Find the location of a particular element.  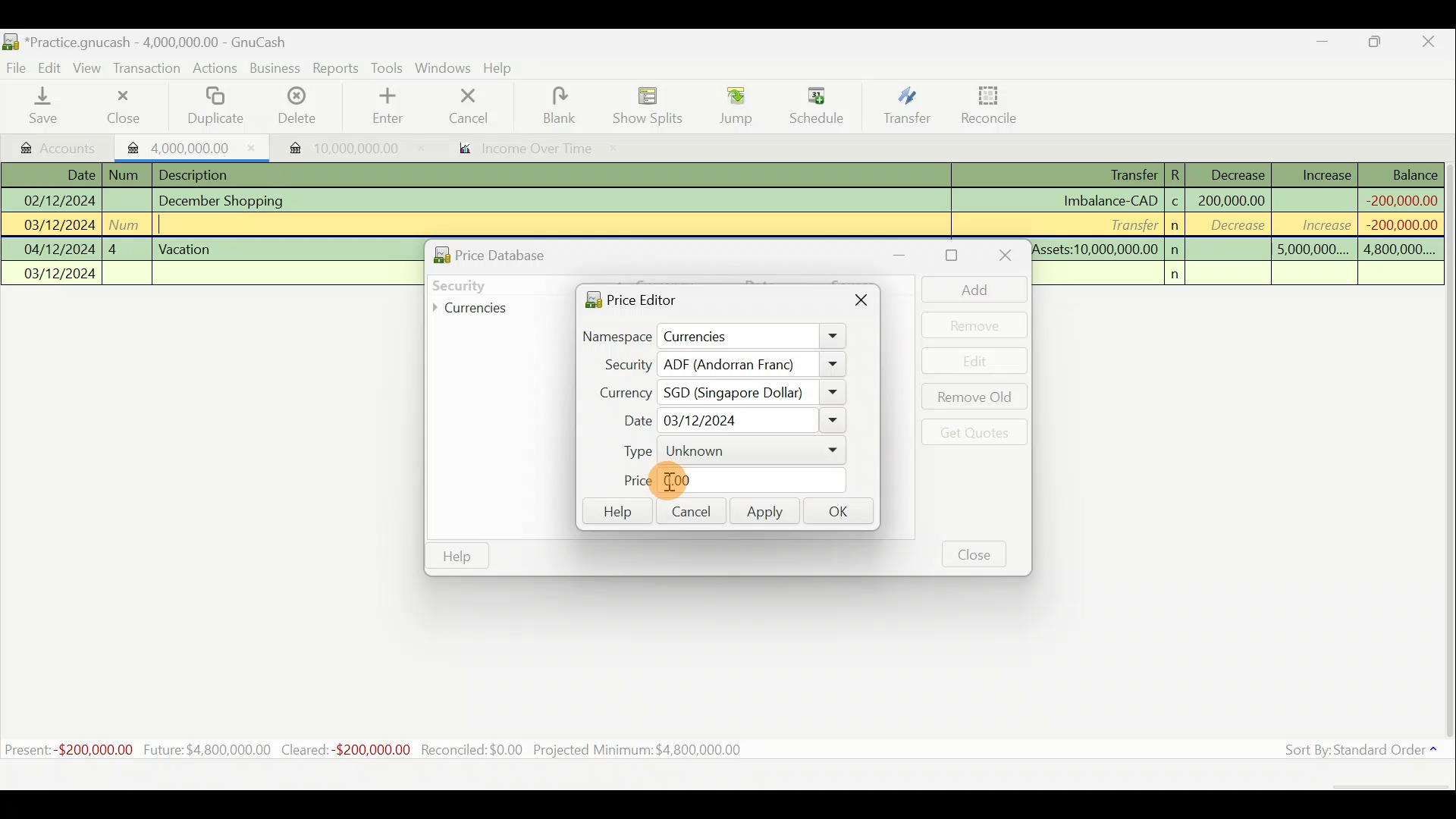

Decrease is located at coordinates (1237, 174).